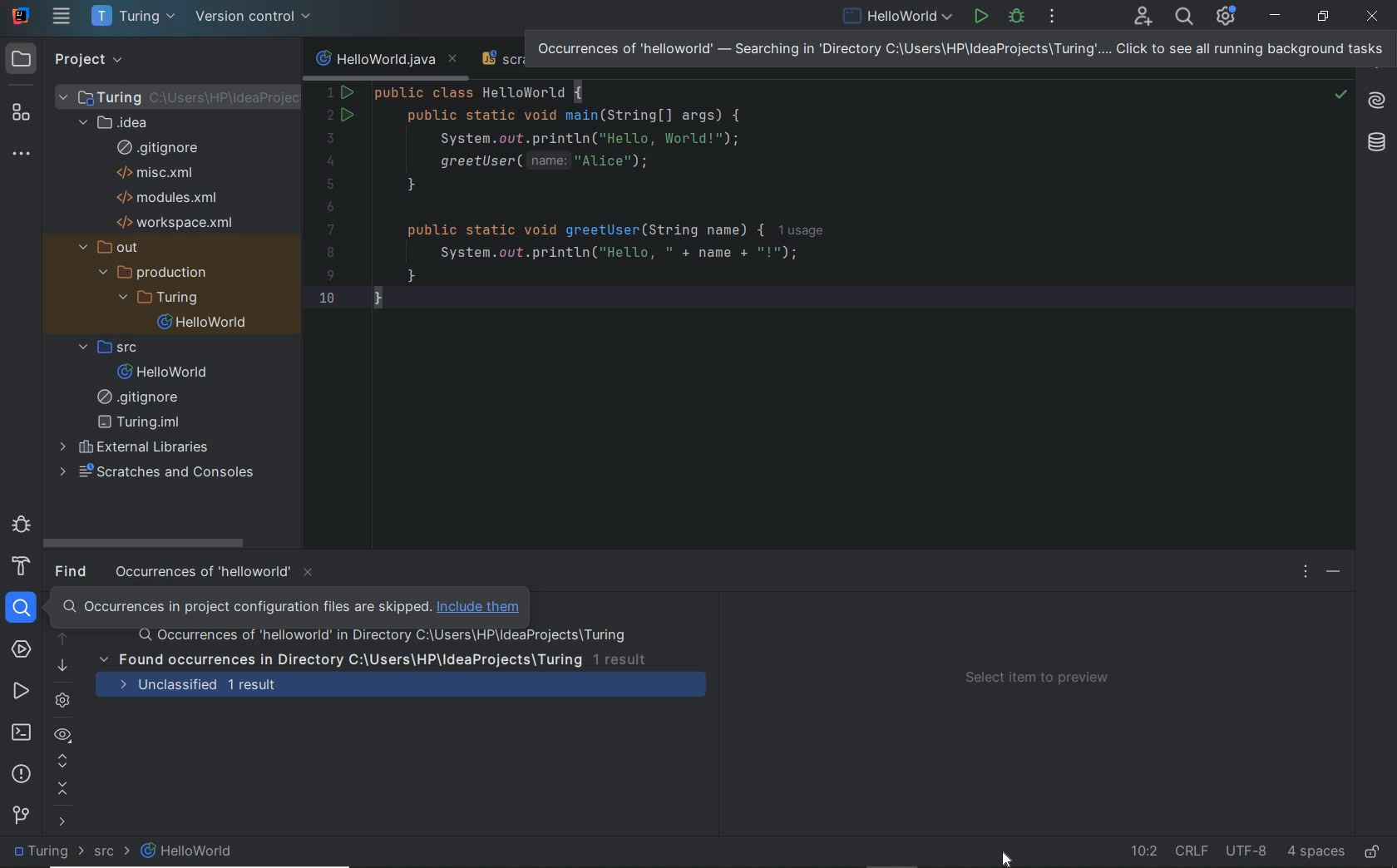  Describe the element at coordinates (1231, 17) in the screenshot. I see `IDE & Project settings` at that location.